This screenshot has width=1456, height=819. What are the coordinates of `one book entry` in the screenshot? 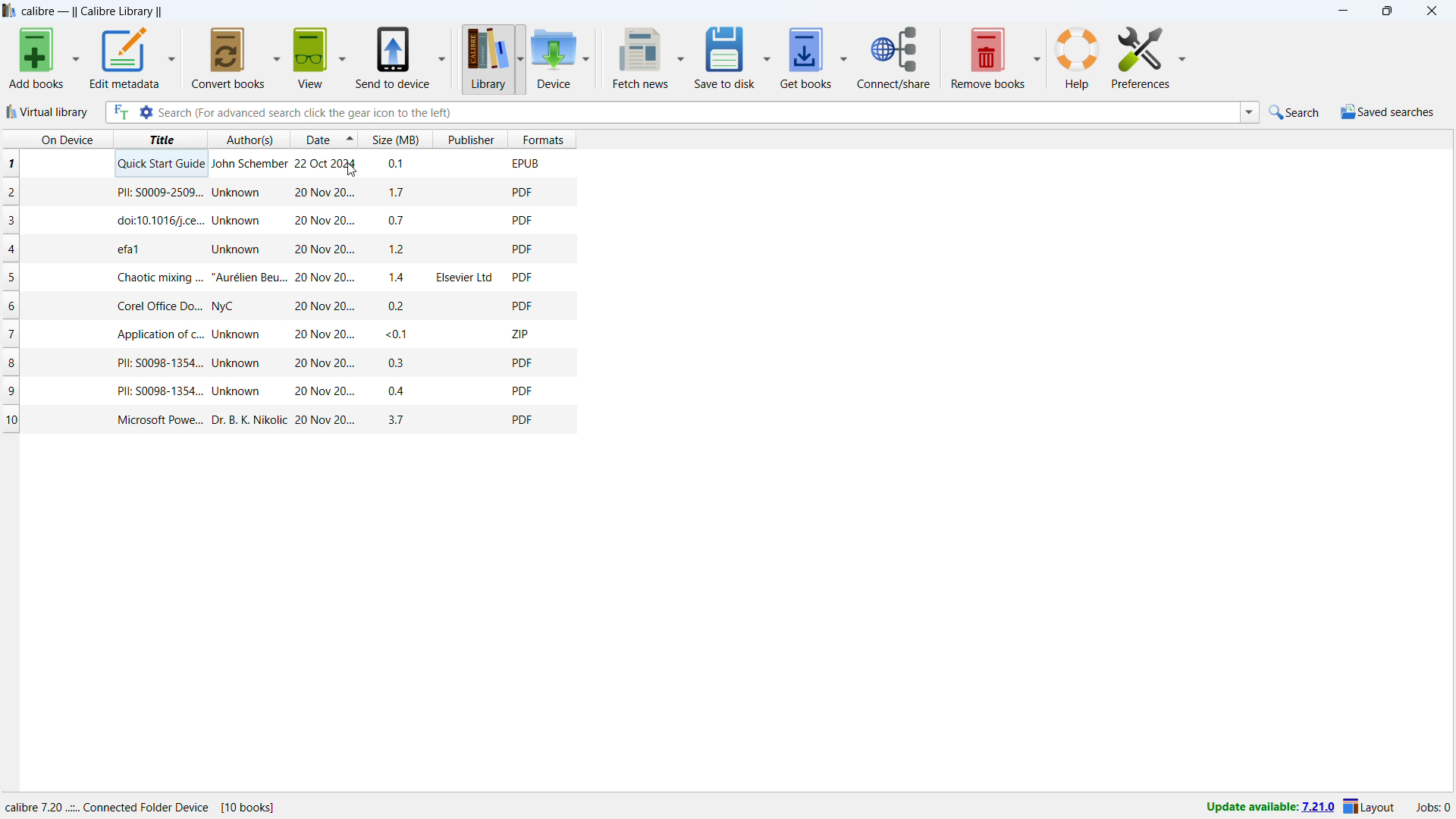 It's located at (288, 165).